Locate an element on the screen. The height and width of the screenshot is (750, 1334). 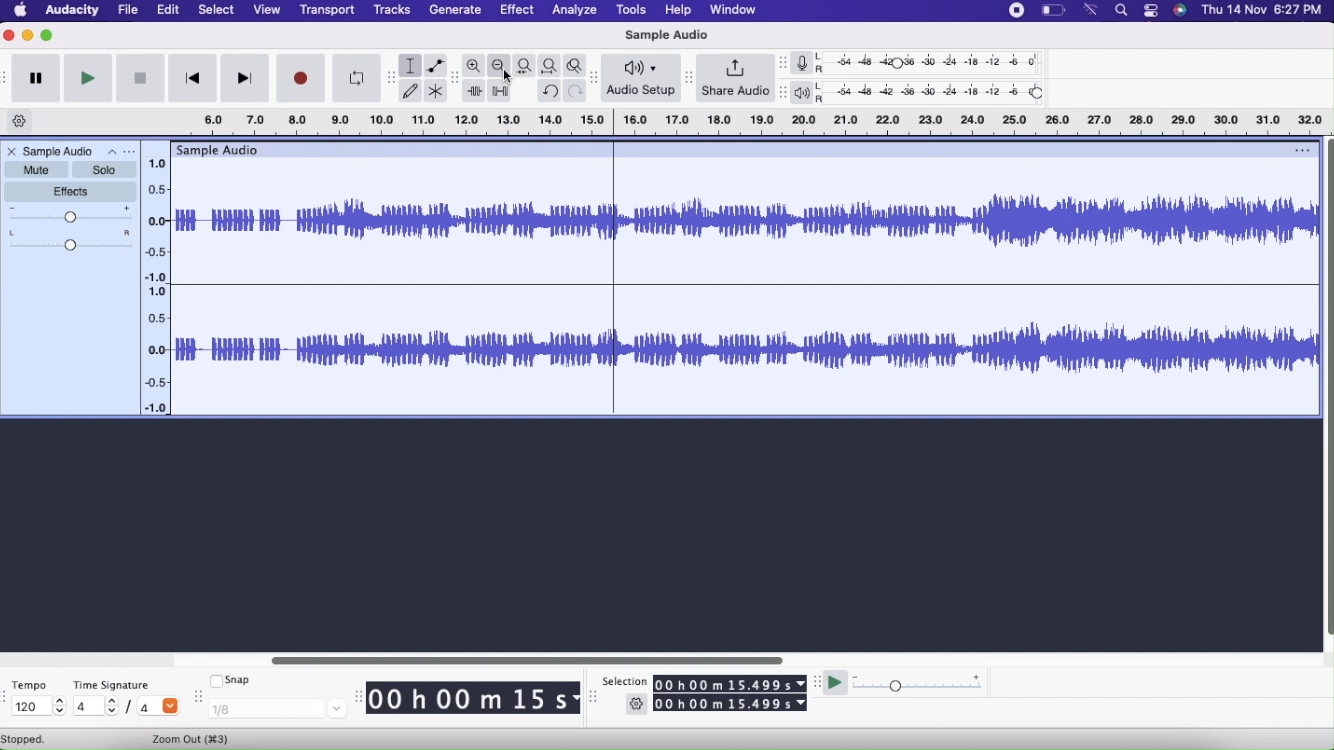
1/8 is located at coordinates (276, 711).